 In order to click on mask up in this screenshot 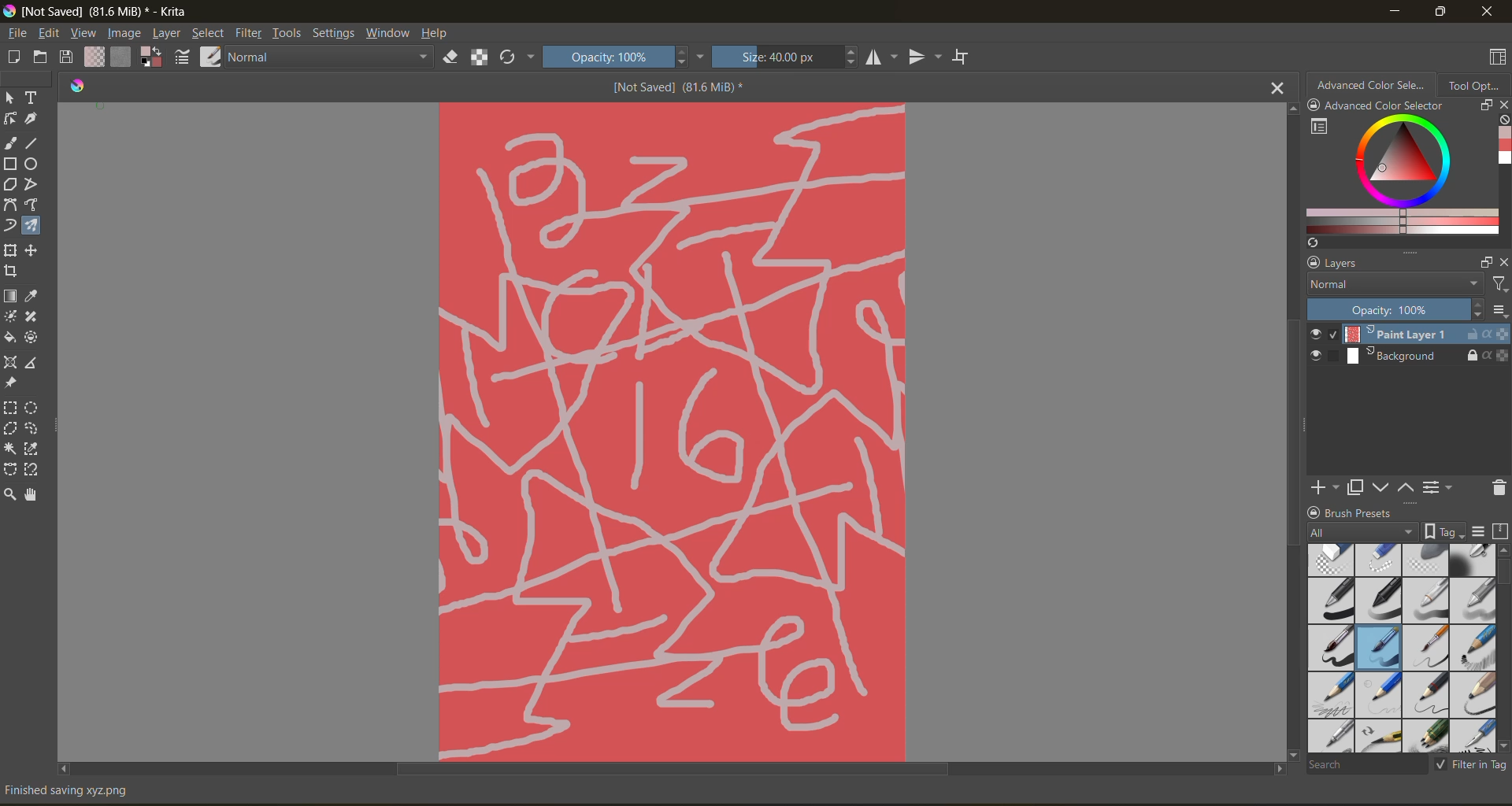, I will do `click(1407, 486)`.